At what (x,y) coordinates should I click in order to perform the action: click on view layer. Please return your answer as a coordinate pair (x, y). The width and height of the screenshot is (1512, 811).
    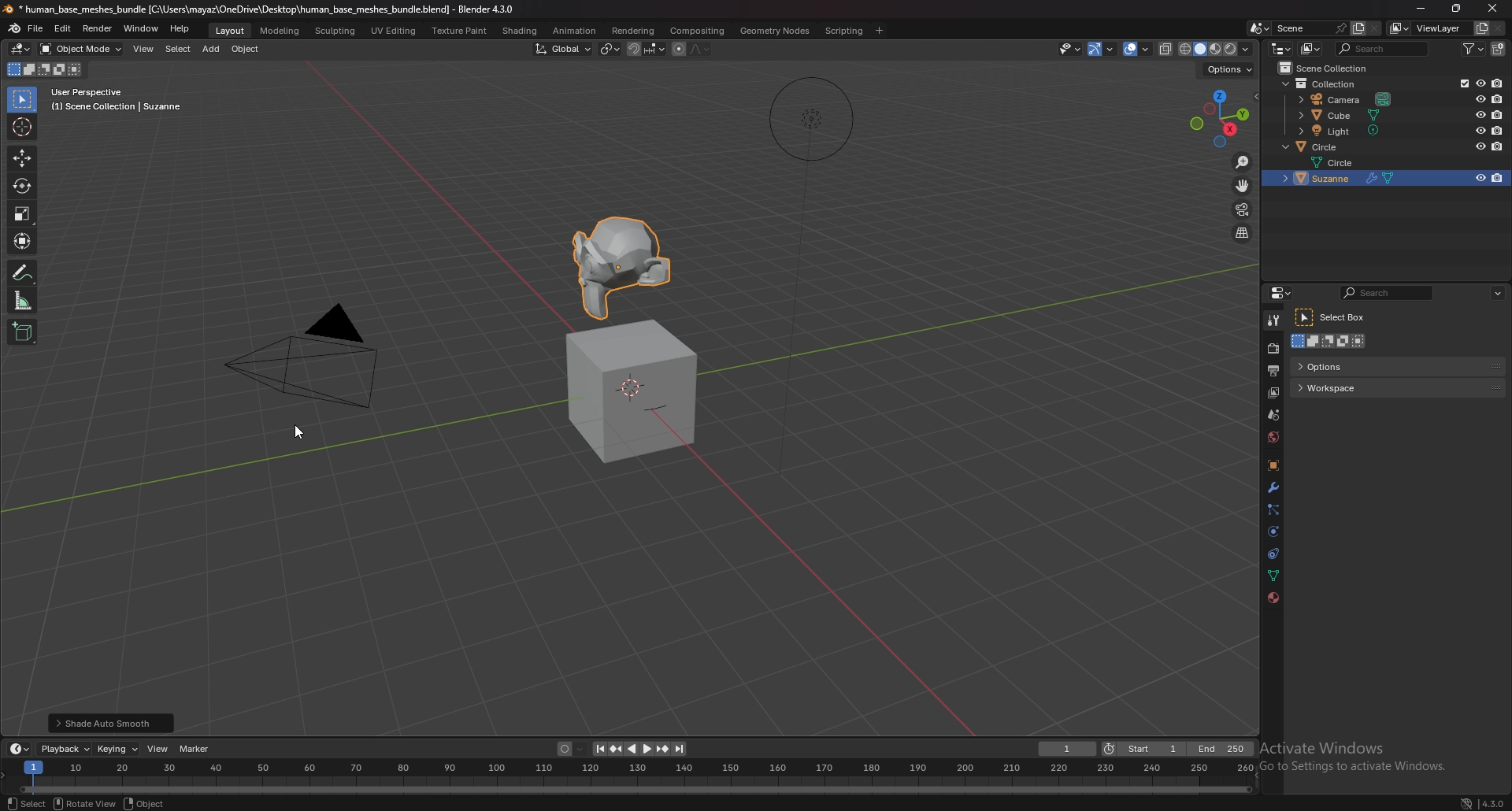
    Looking at the image, I should click on (1273, 394).